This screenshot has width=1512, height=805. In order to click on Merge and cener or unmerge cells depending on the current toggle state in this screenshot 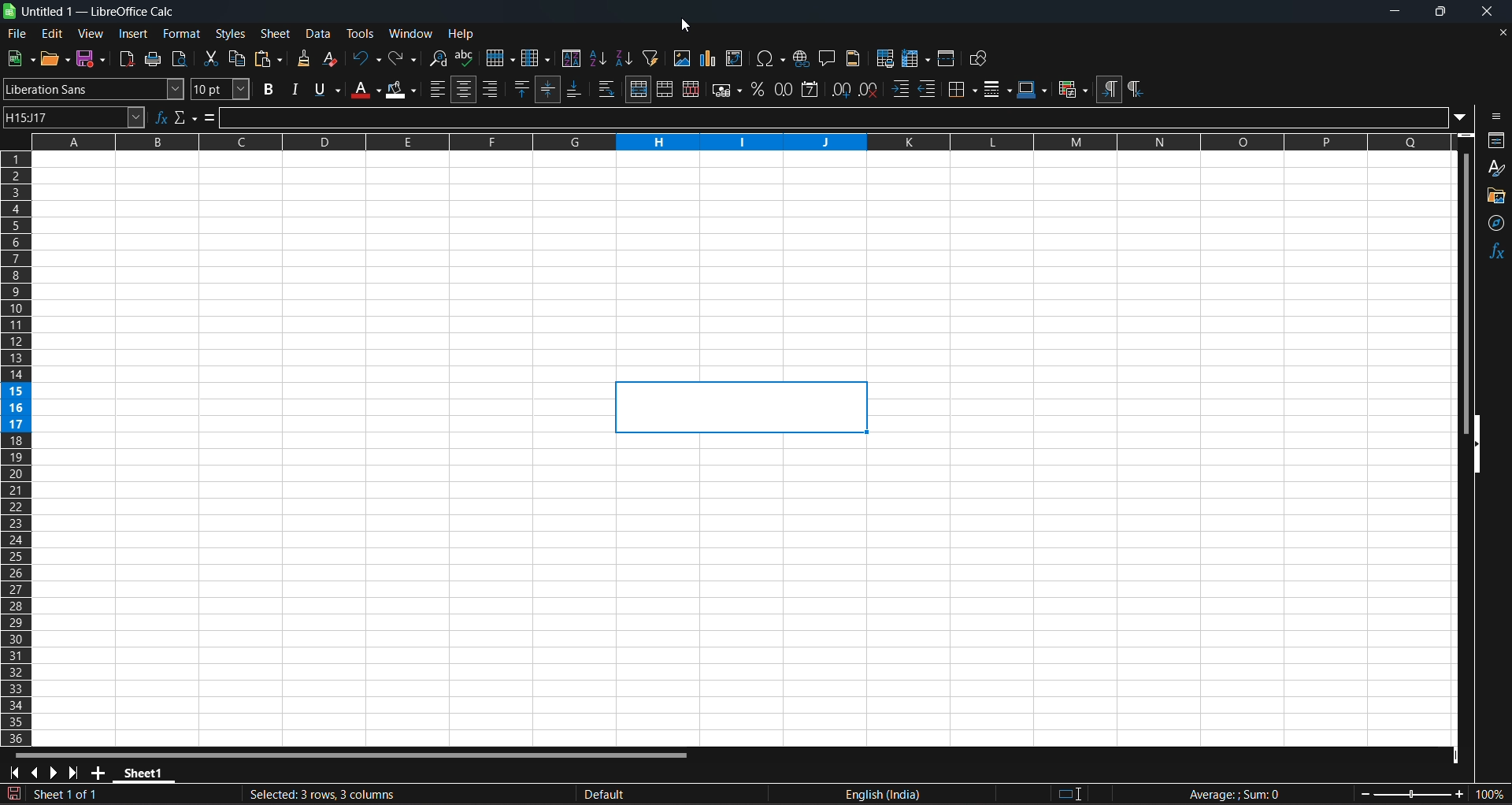, I will do `click(639, 90)`.